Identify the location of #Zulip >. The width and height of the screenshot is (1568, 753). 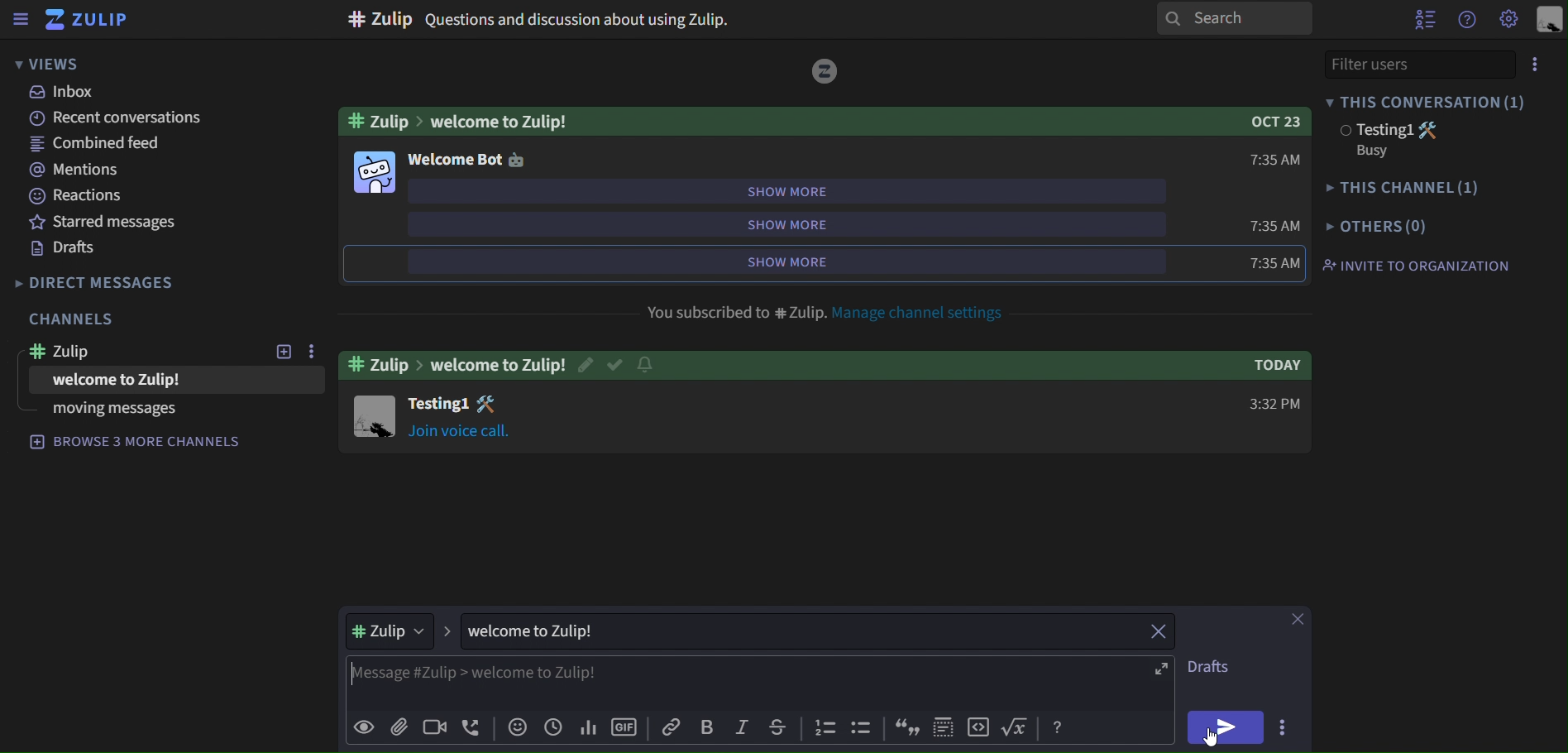
(401, 632).